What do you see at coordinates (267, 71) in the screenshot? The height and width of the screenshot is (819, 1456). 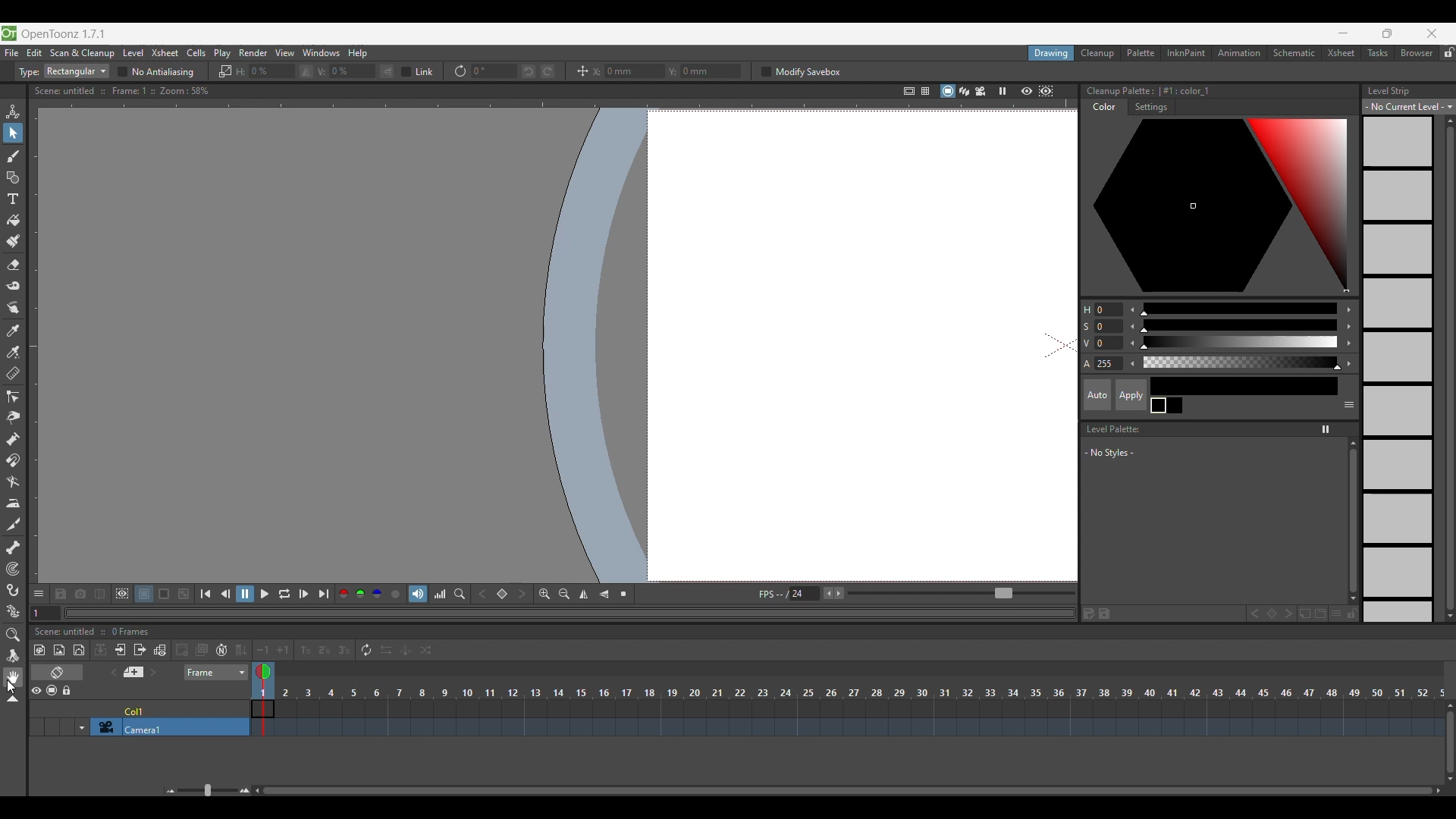 I see `Enter degree of horizontal flip manually` at bounding box center [267, 71].